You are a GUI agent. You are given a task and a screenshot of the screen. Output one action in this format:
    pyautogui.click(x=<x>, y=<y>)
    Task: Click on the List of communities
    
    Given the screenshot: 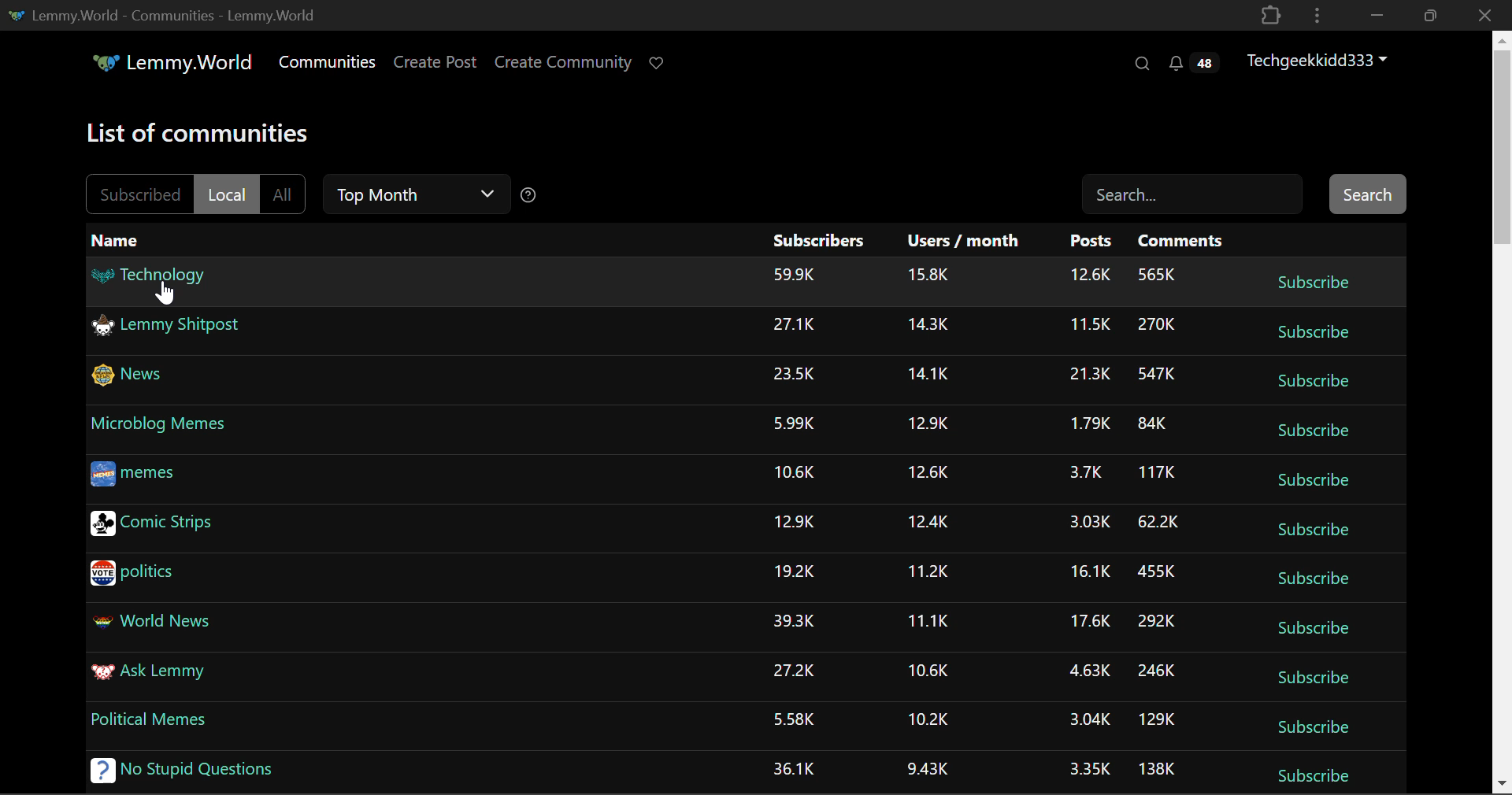 What is the action you would take?
    pyautogui.click(x=202, y=135)
    